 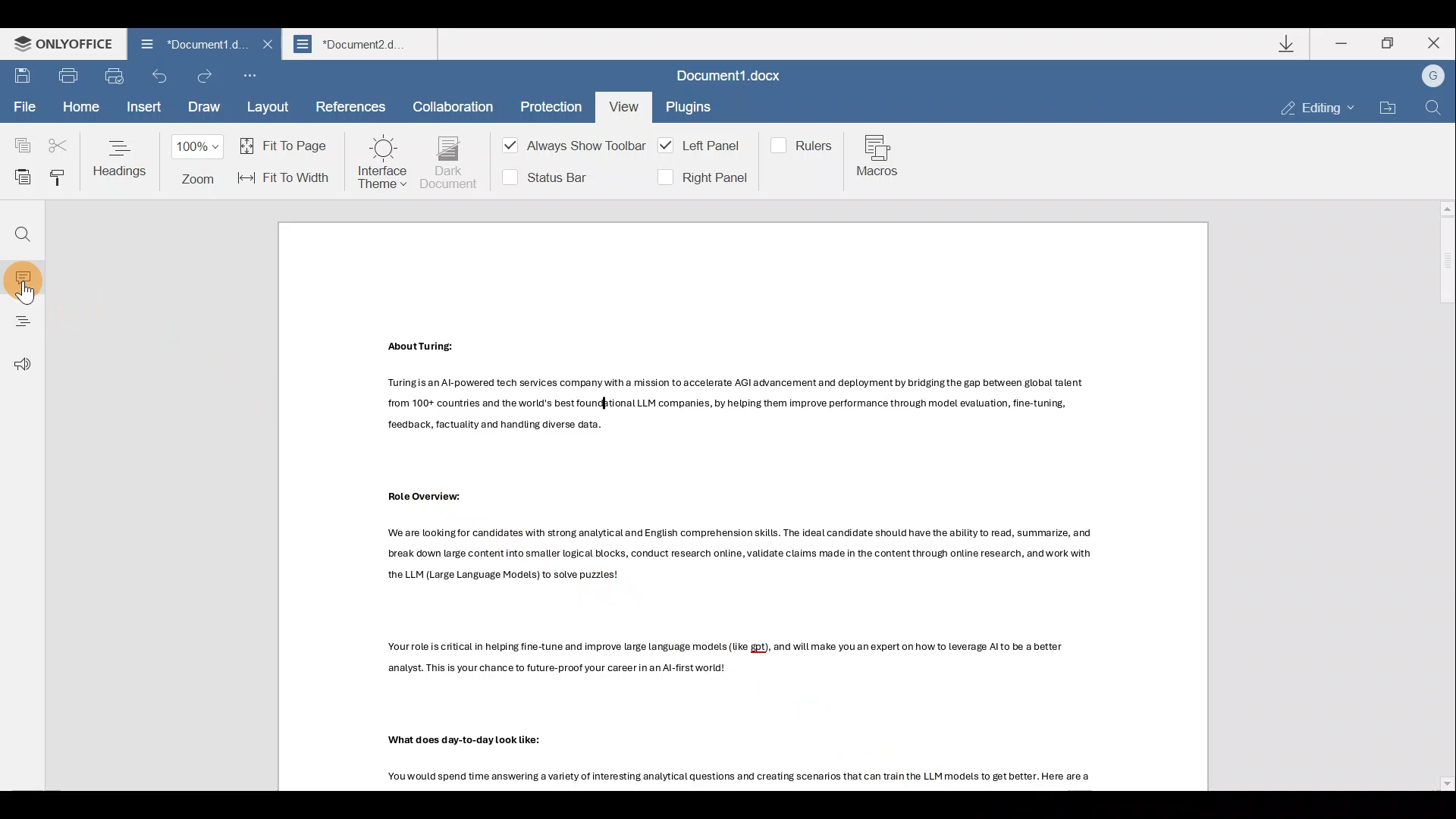 What do you see at coordinates (269, 108) in the screenshot?
I see `Layout` at bounding box center [269, 108].